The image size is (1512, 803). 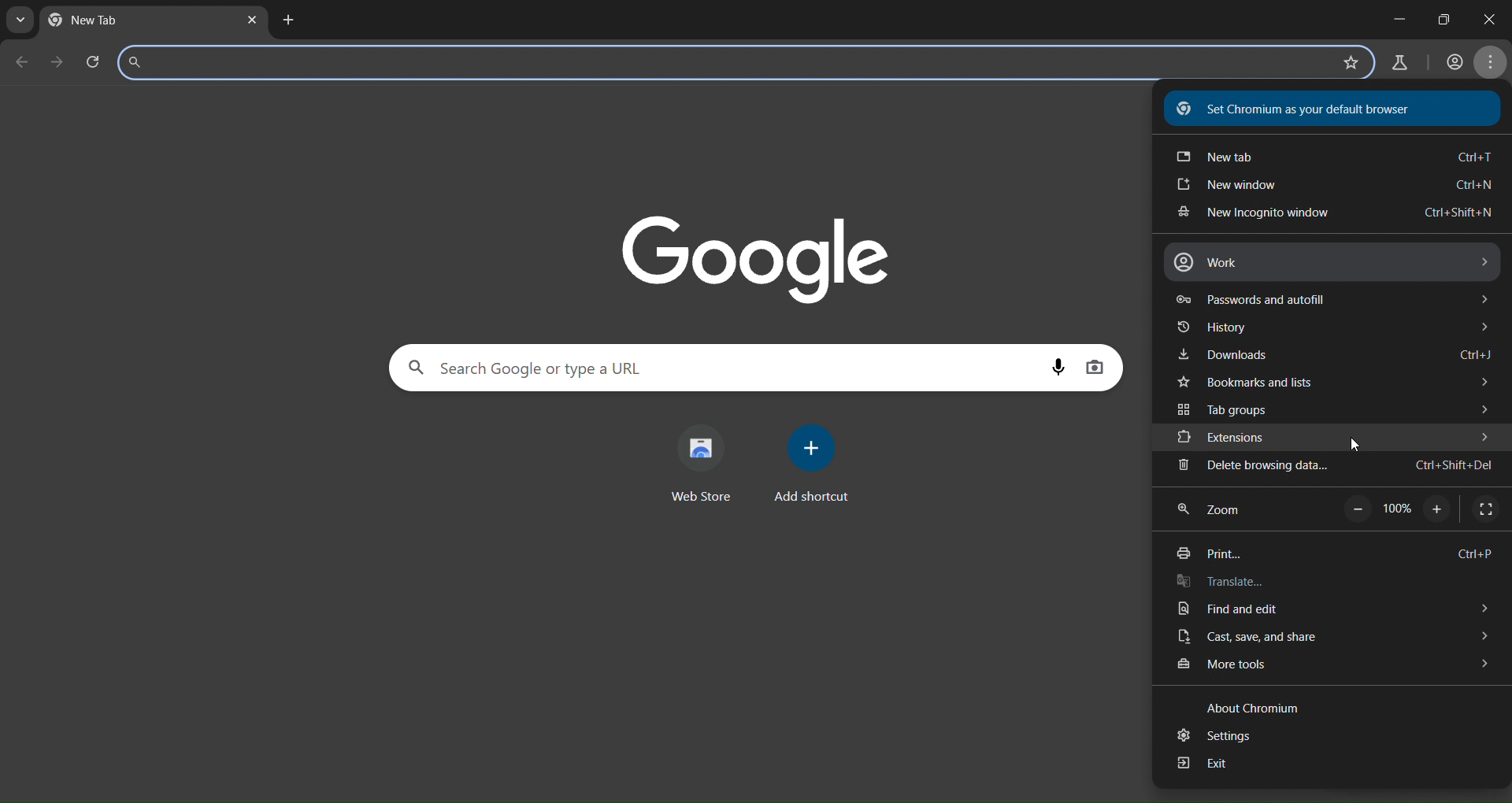 What do you see at coordinates (1255, 708) in the screenshot?
I see `text` at bounding box center [1255, 708].